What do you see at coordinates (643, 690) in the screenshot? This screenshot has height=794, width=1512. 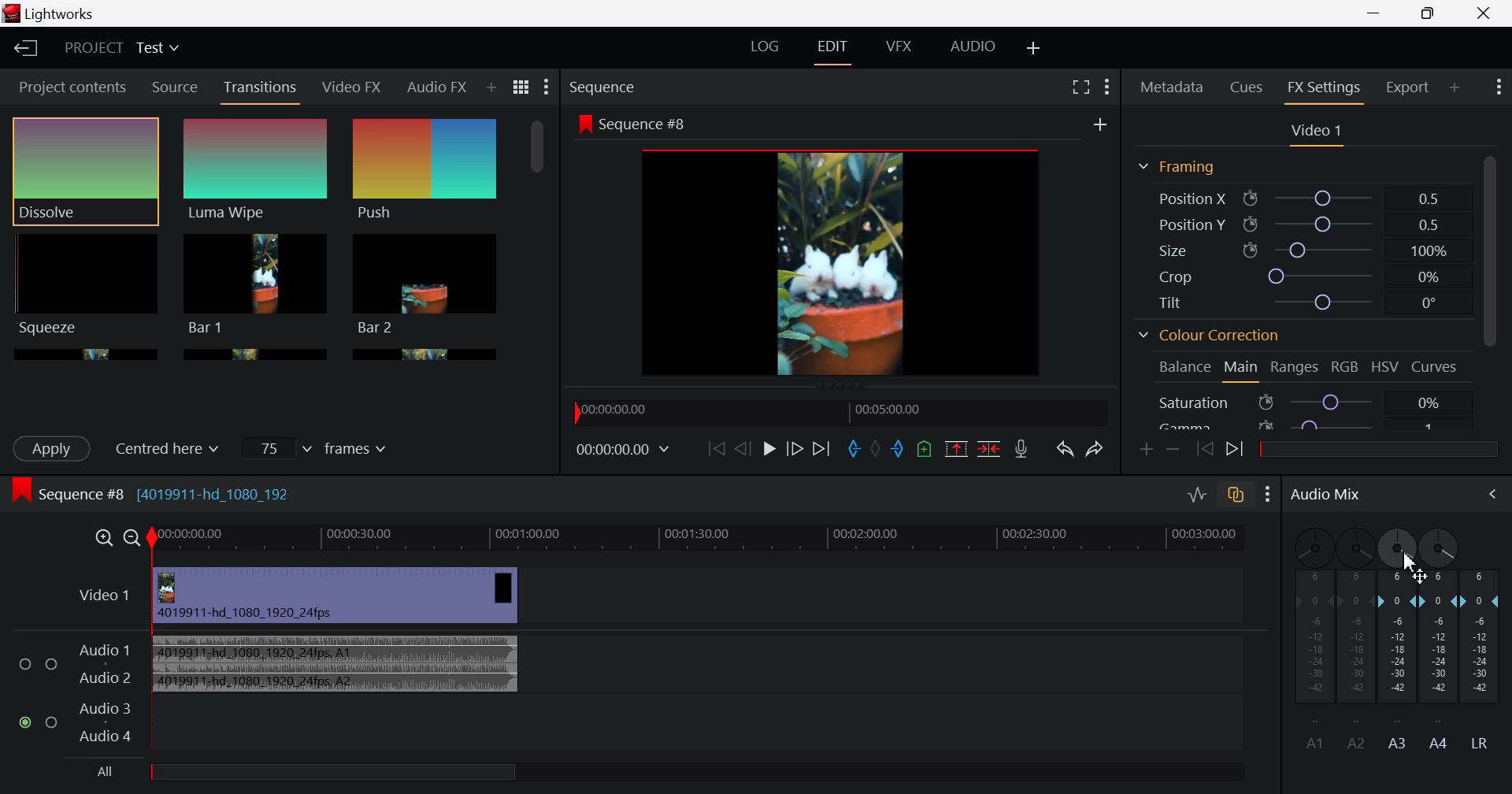 I see `Audio Input Field` at bounding box center [643, 690].